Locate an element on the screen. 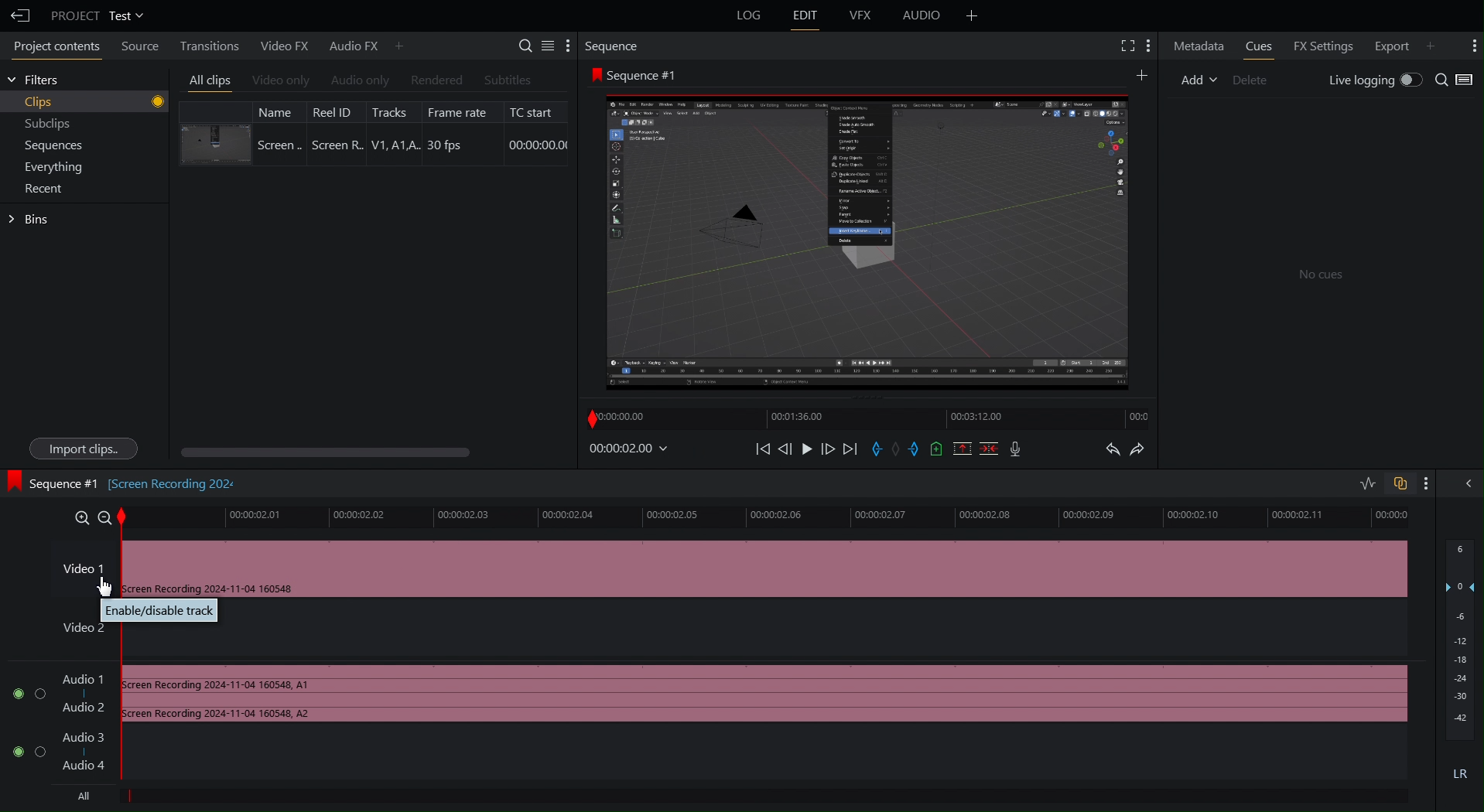 The image size is (1484, 812). Metadata is located at coordinates (1197, 46).